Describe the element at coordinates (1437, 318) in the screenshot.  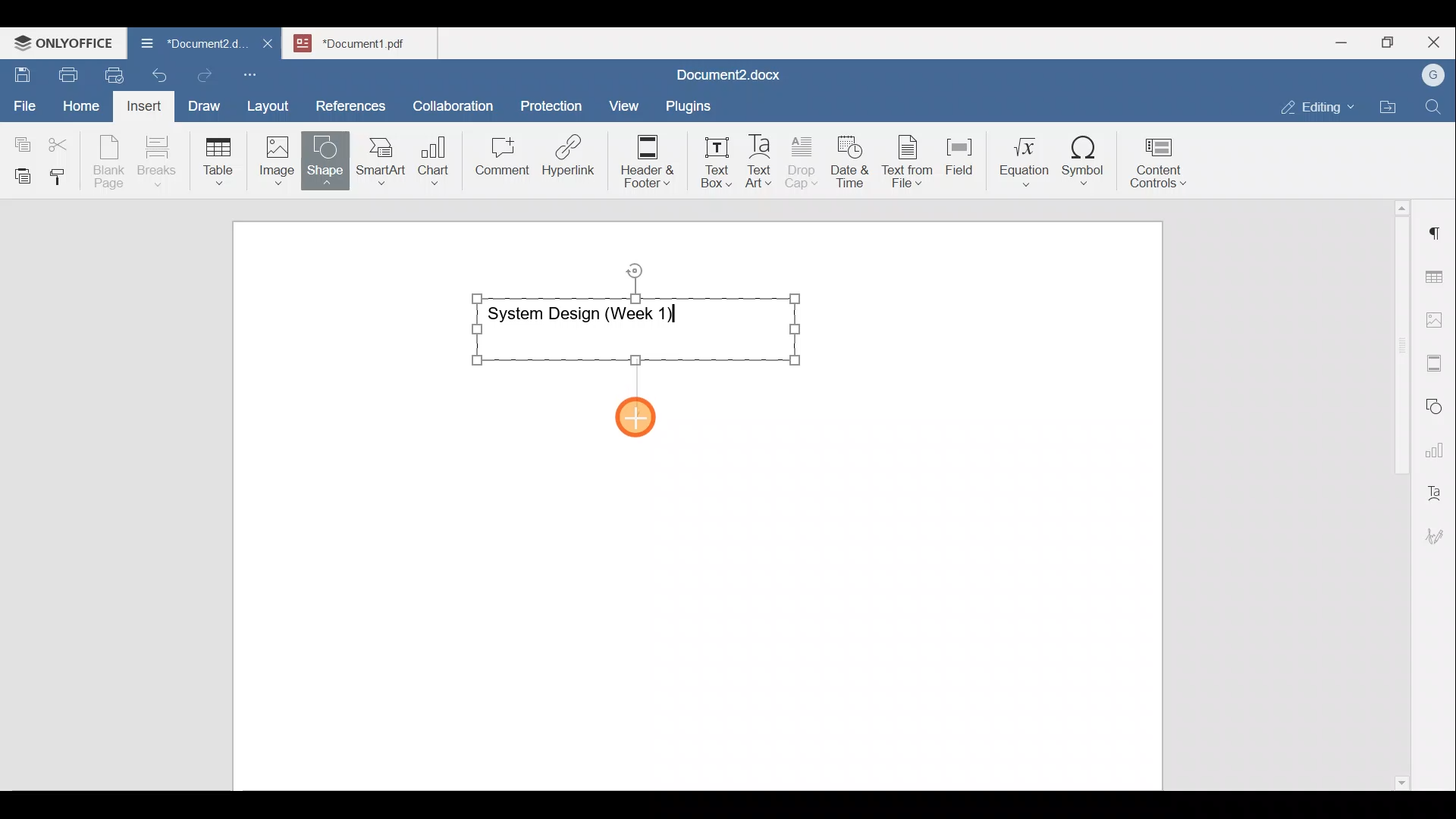
I see `Image settings` at that location.